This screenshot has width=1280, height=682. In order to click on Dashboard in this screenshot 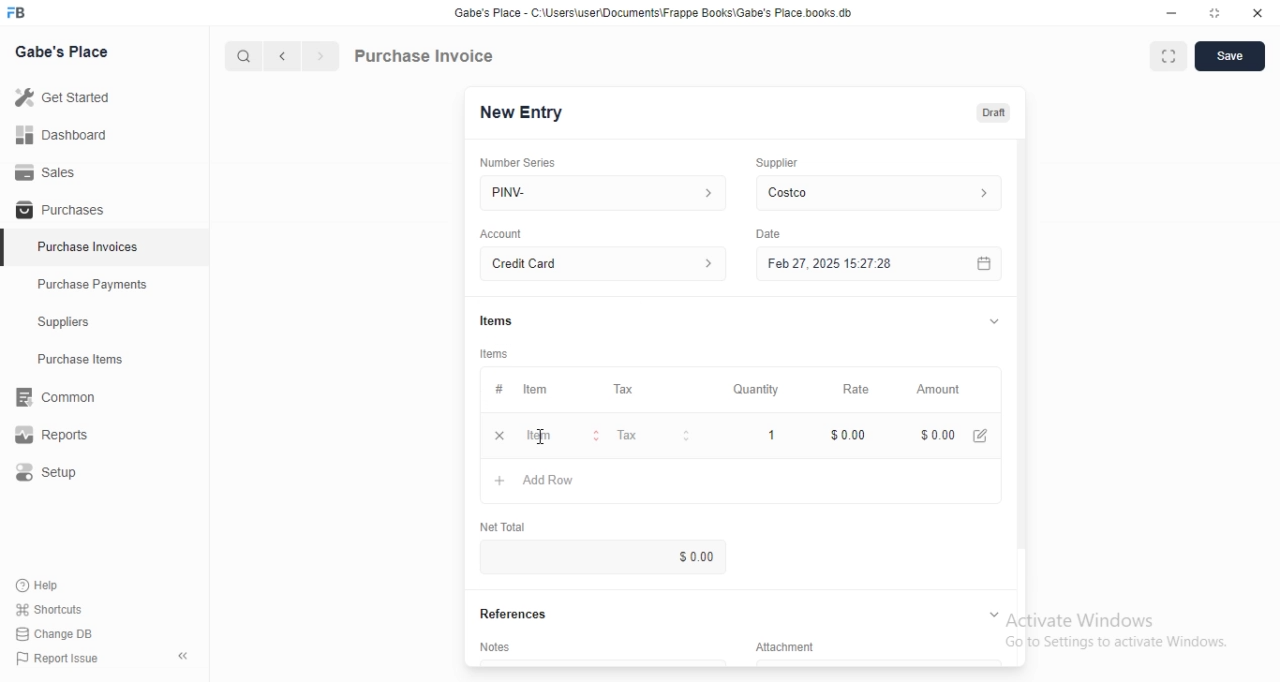, I will do `click(104, 134)`.